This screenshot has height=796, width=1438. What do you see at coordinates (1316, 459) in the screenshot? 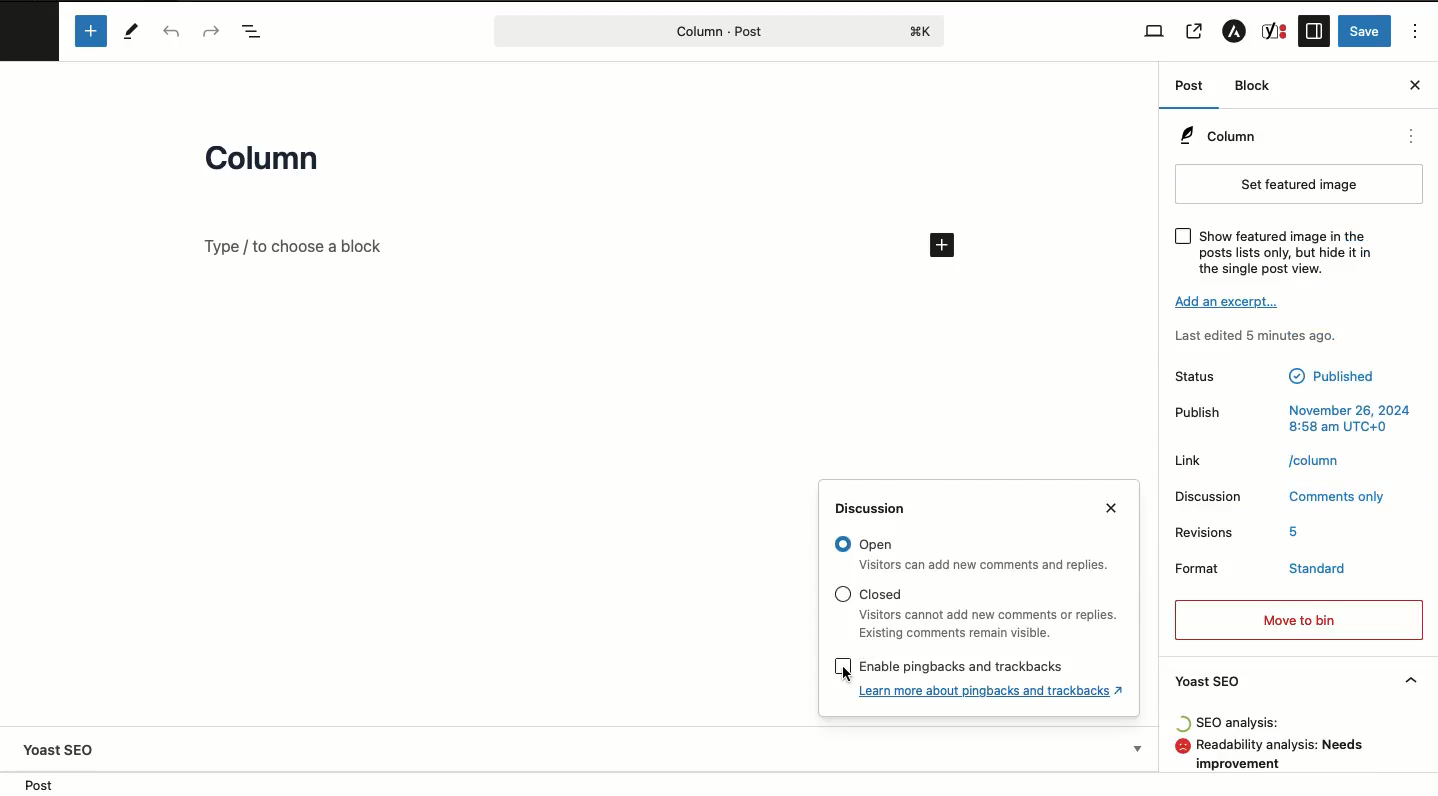
I see `text` at bounding box center [1316, 459].